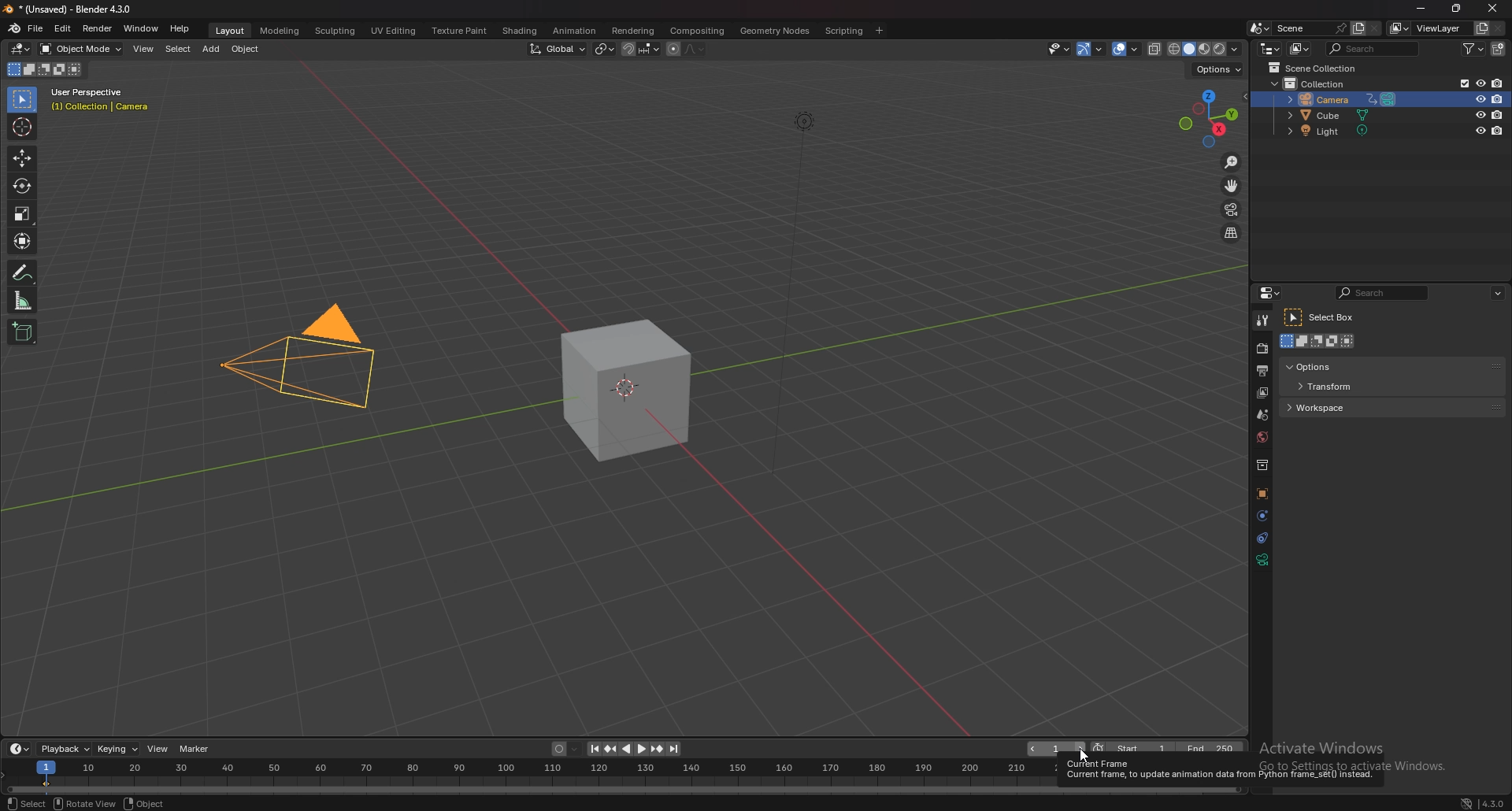 This screenshot has height=811, width=1512. I want to click on editor type, so click(1271, 292).